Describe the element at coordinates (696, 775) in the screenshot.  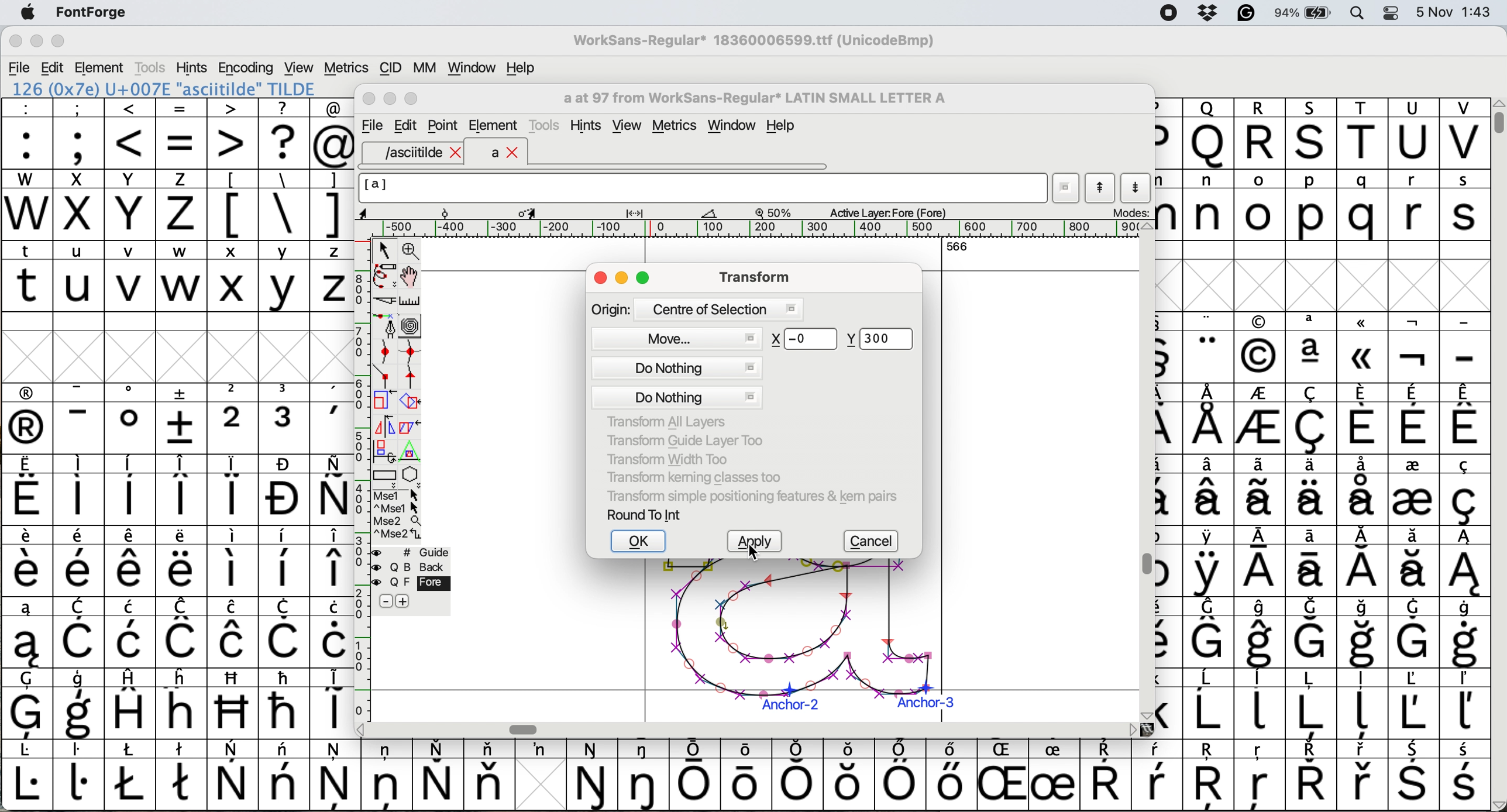
I see `symbol` at that location.